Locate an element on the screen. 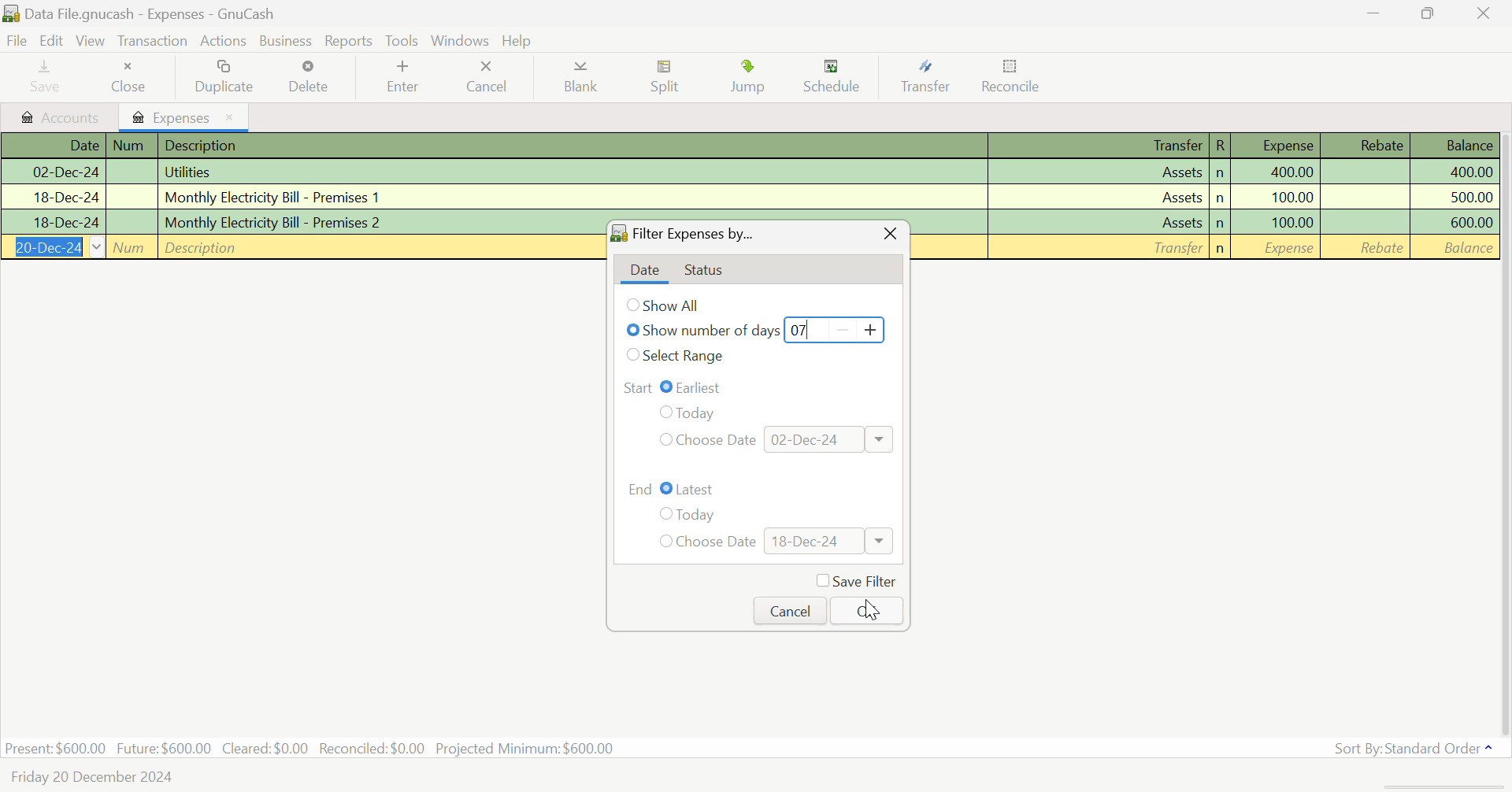 Image resolution: width=1512 pixels, height=792 pixels. Split is located at coordinates (668, 79).